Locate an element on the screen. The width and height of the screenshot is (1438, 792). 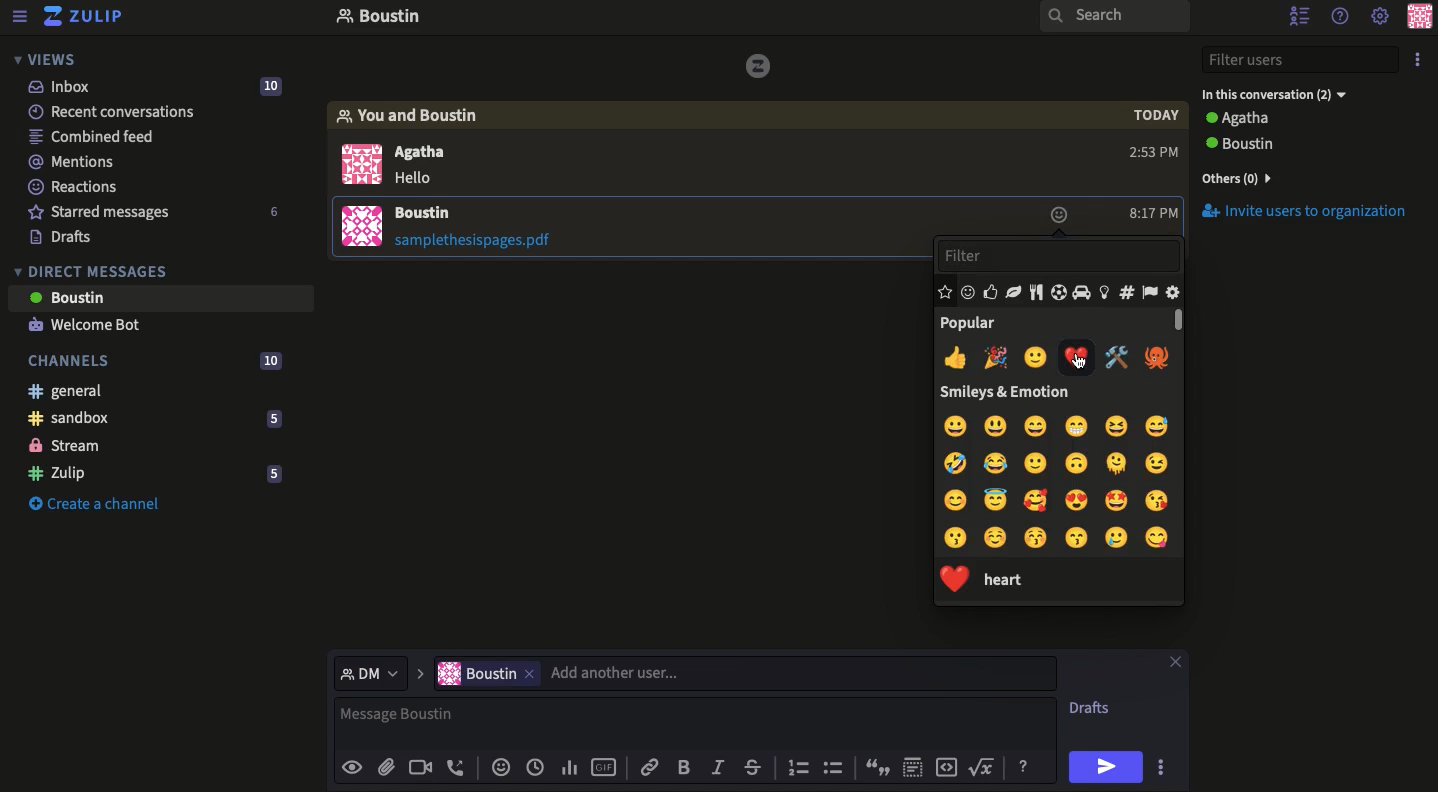
melting face is located at coordinates (1116, 462).